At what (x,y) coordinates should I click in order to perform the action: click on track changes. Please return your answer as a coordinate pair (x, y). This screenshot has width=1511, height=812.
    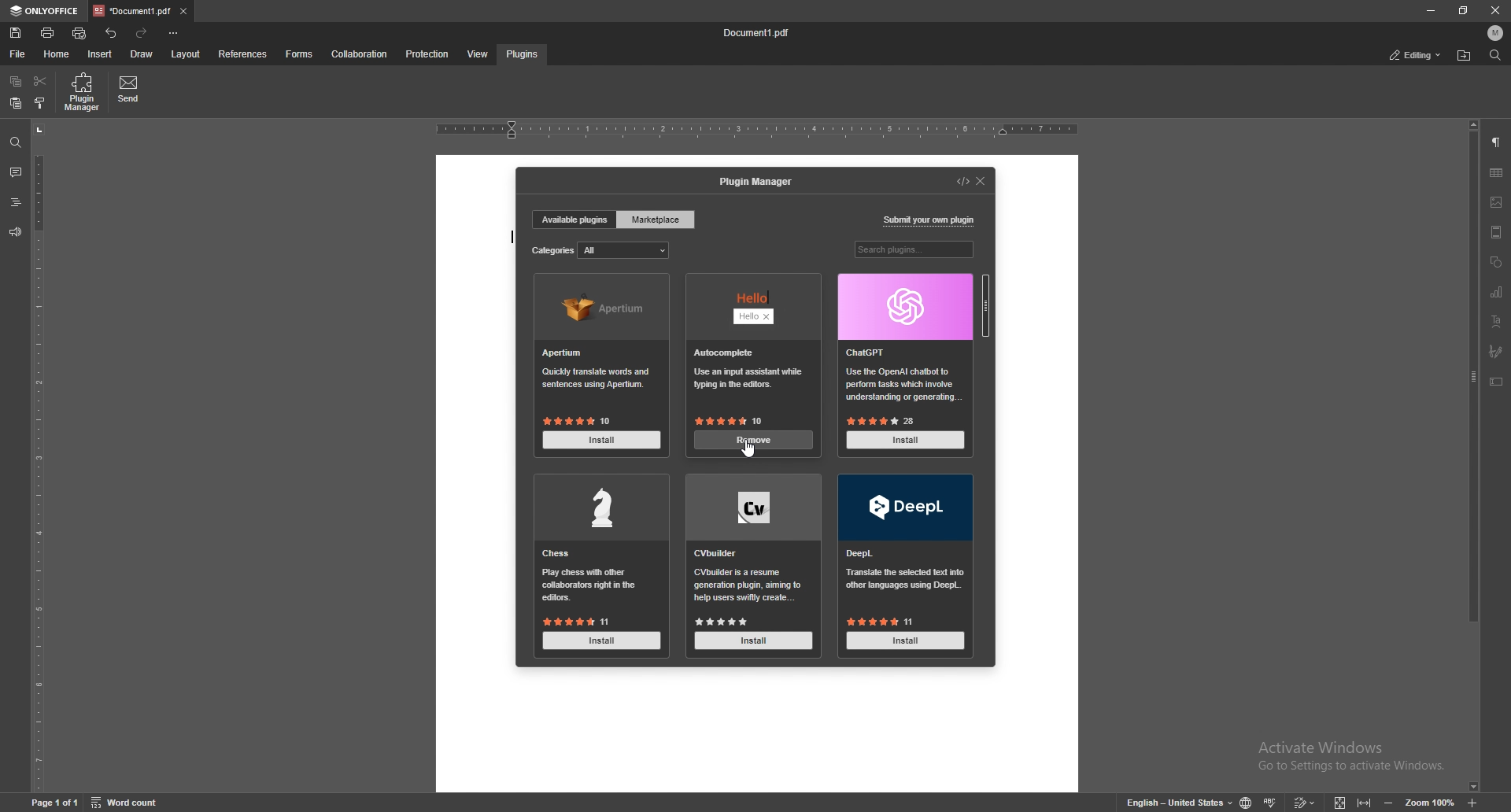
    Looking at the image, I should click on (1306, 802).